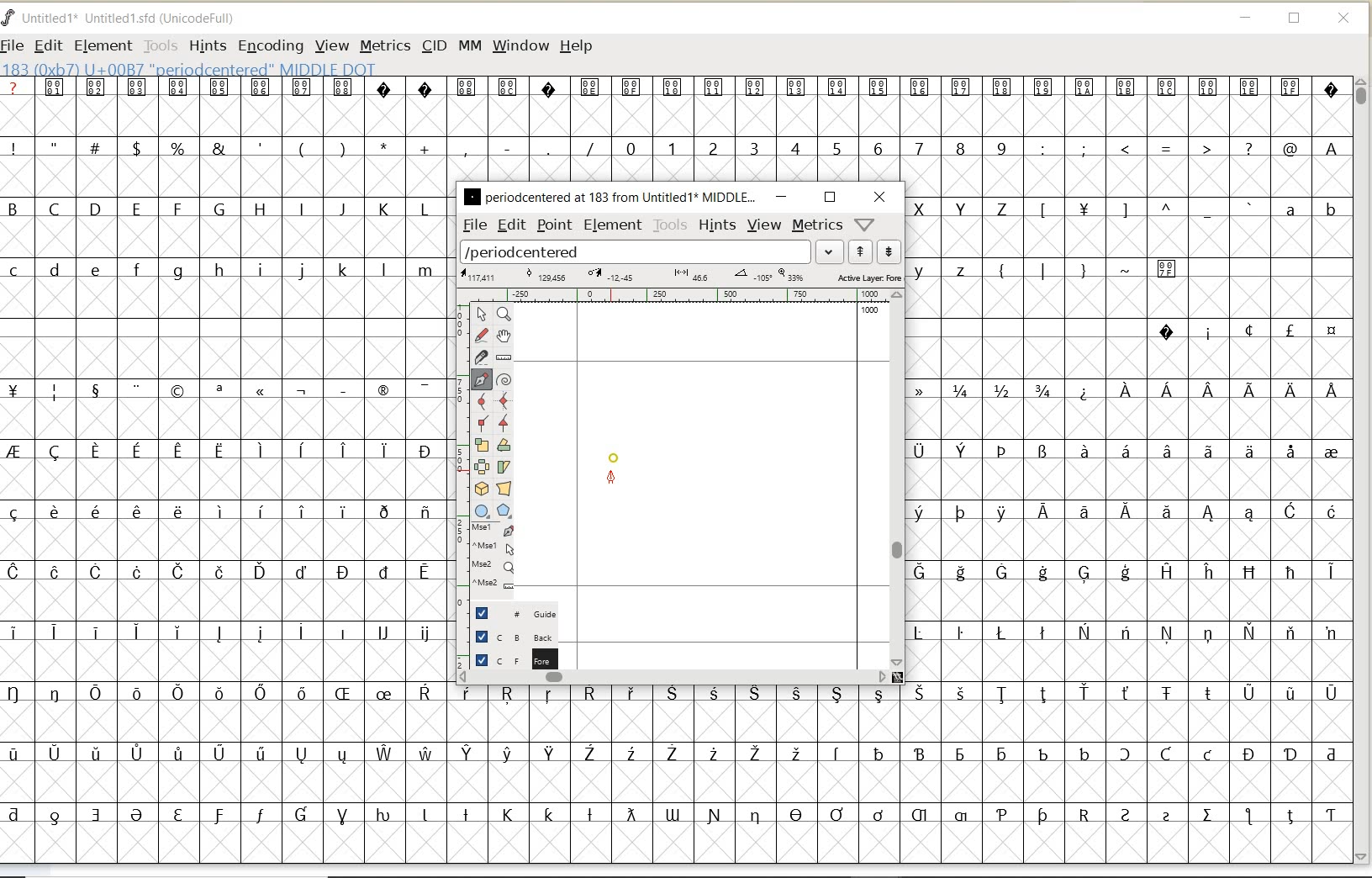  I want to click on special characters, so click(1108, 276).